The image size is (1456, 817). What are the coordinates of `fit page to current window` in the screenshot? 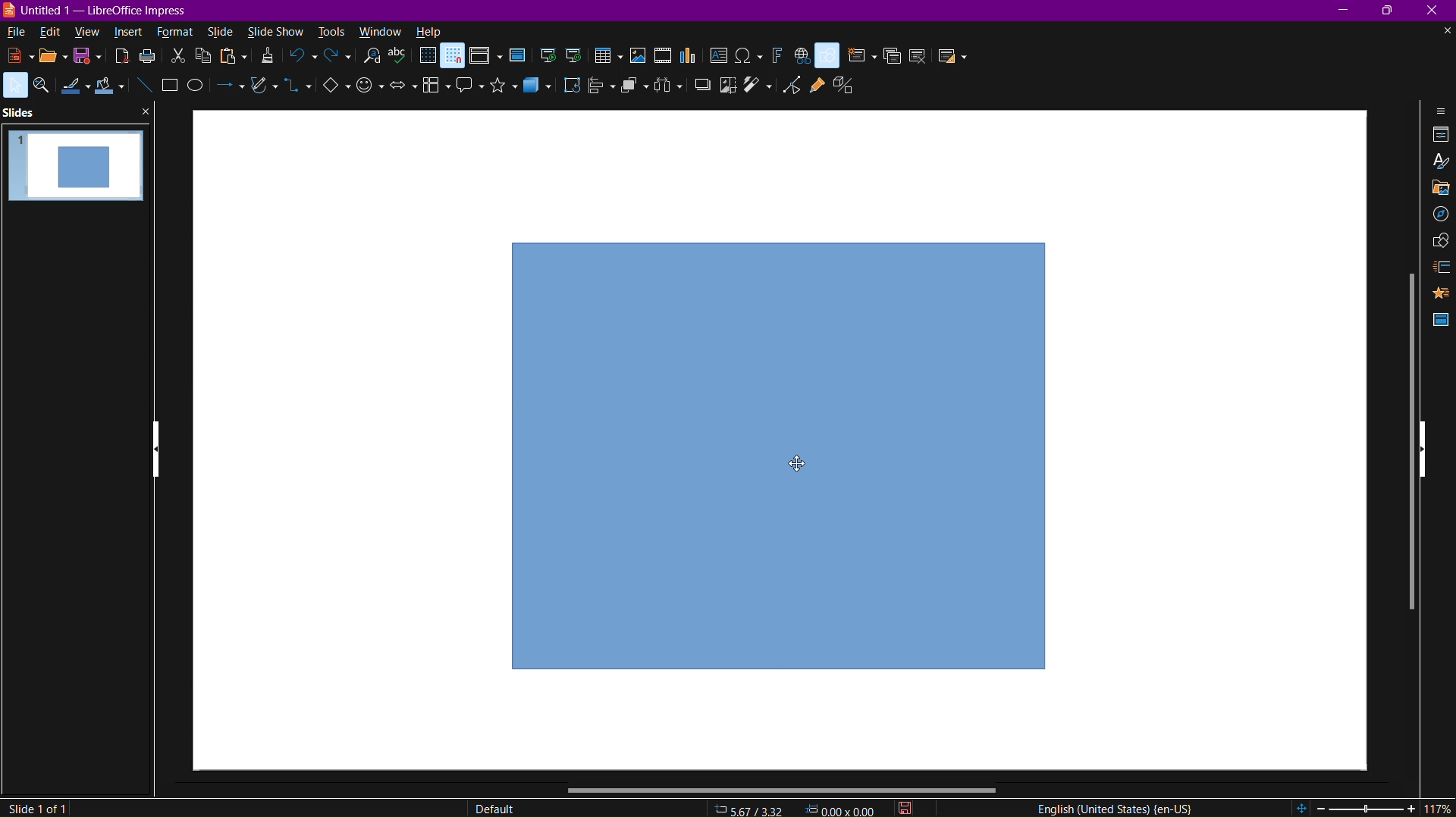 It's located at (1301, 808).